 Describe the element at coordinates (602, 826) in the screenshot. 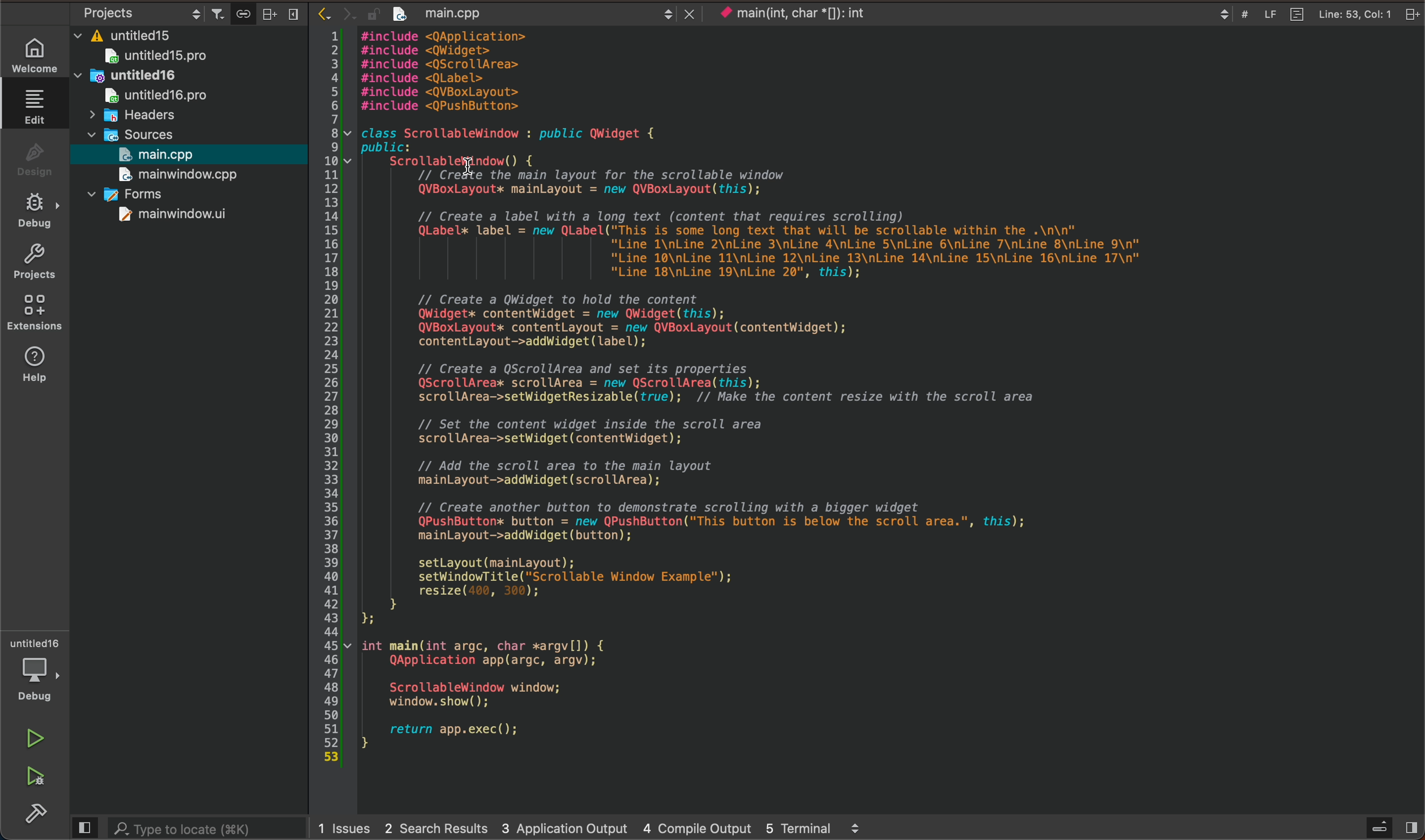

I see `logs` at that location.